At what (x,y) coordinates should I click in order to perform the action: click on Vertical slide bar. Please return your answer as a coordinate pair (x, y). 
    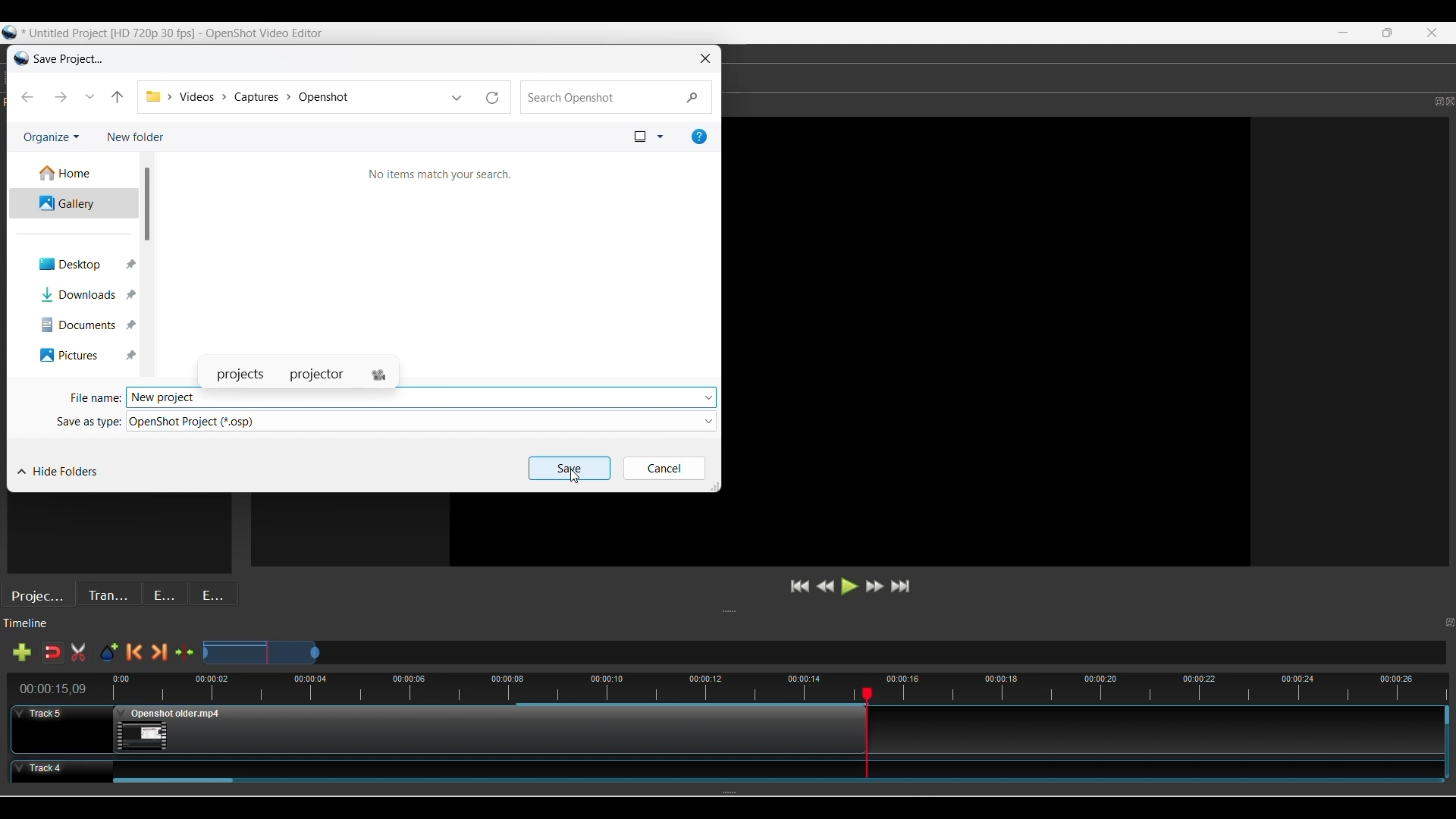
    Looking at the image, I should click on (1448, 714).